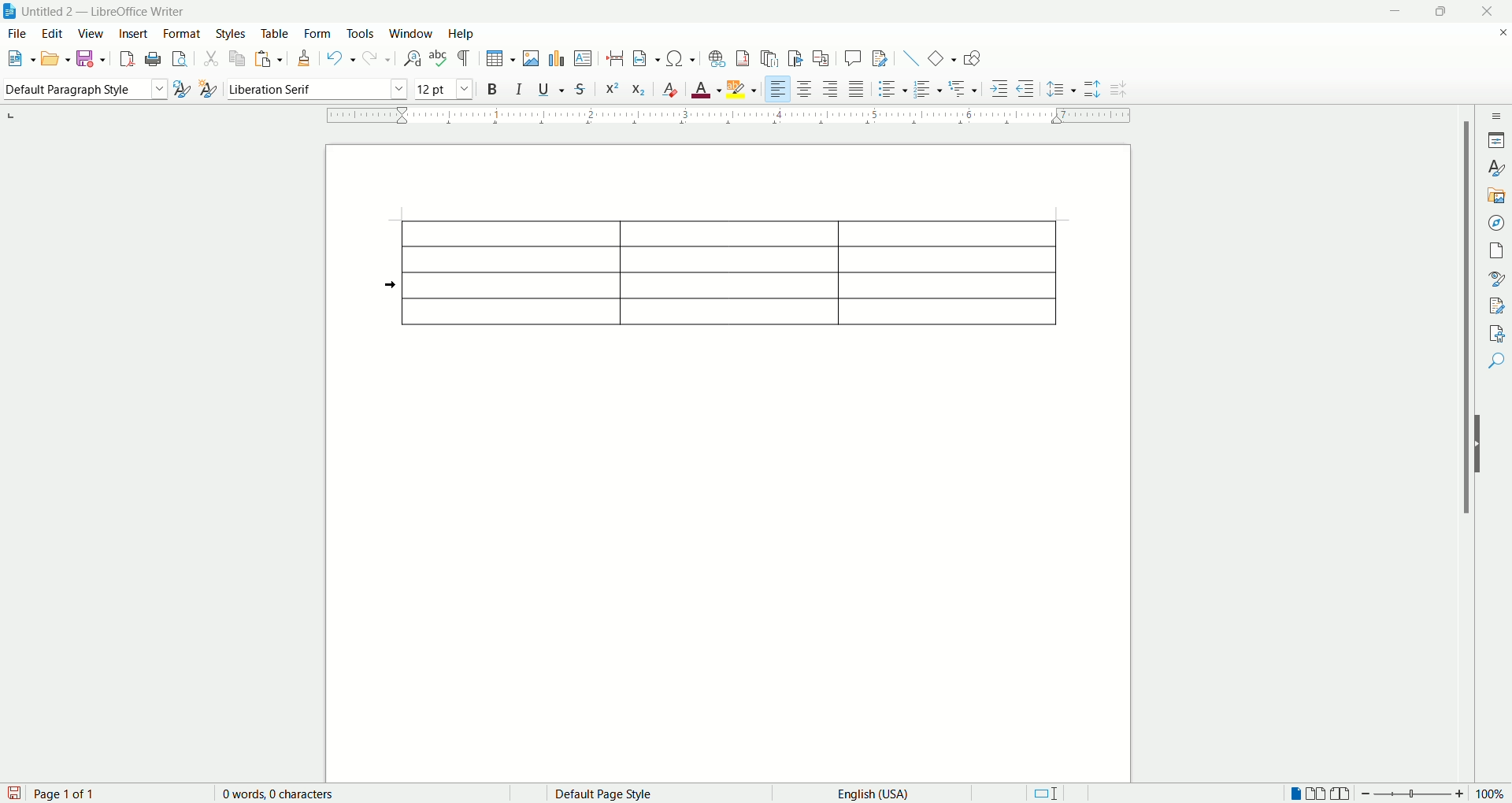 This screenshot has height=803, width=1512. I want to click on update new style, so click(182, 89).